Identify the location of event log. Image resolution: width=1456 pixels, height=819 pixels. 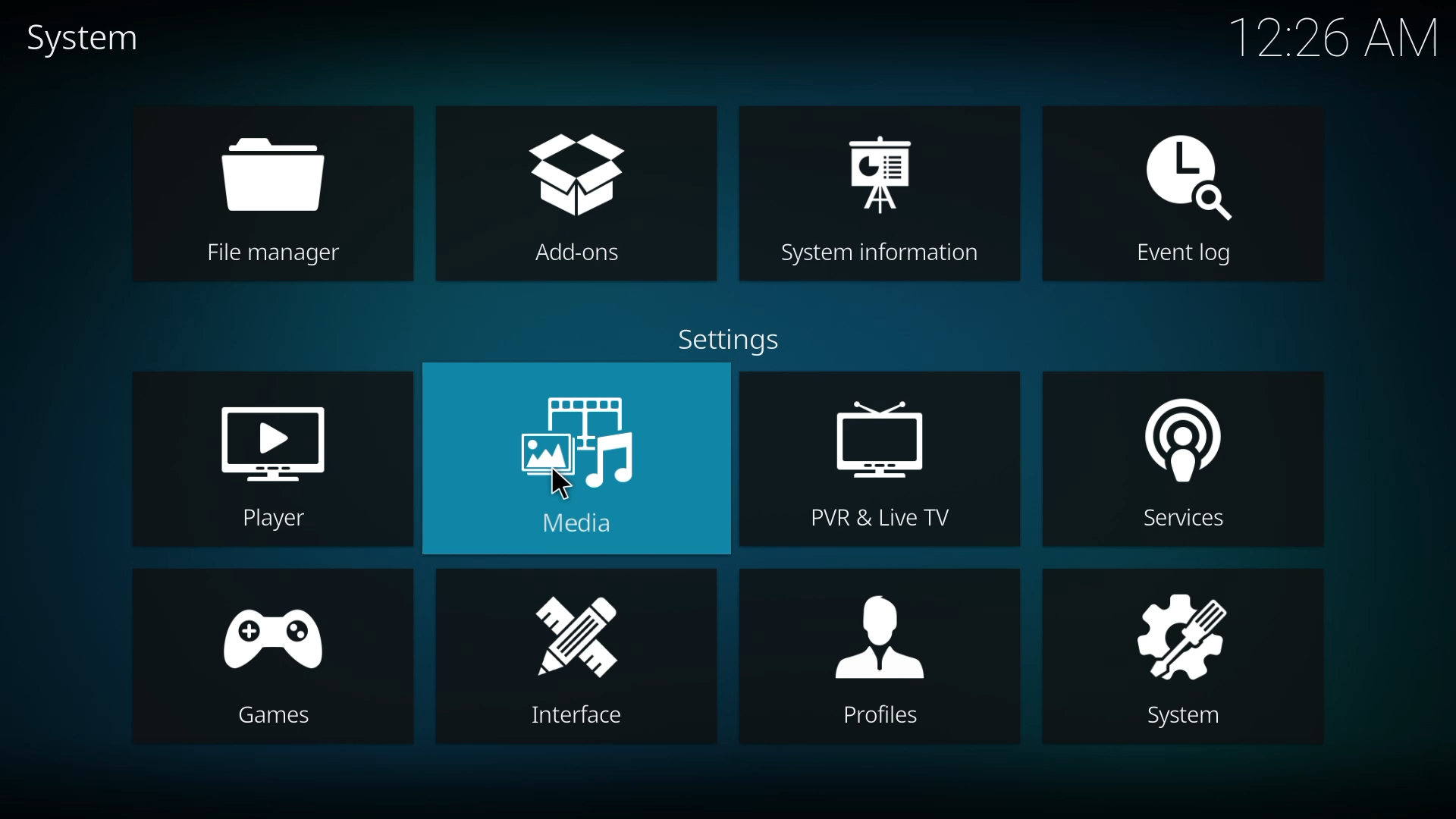
(1188, 196).